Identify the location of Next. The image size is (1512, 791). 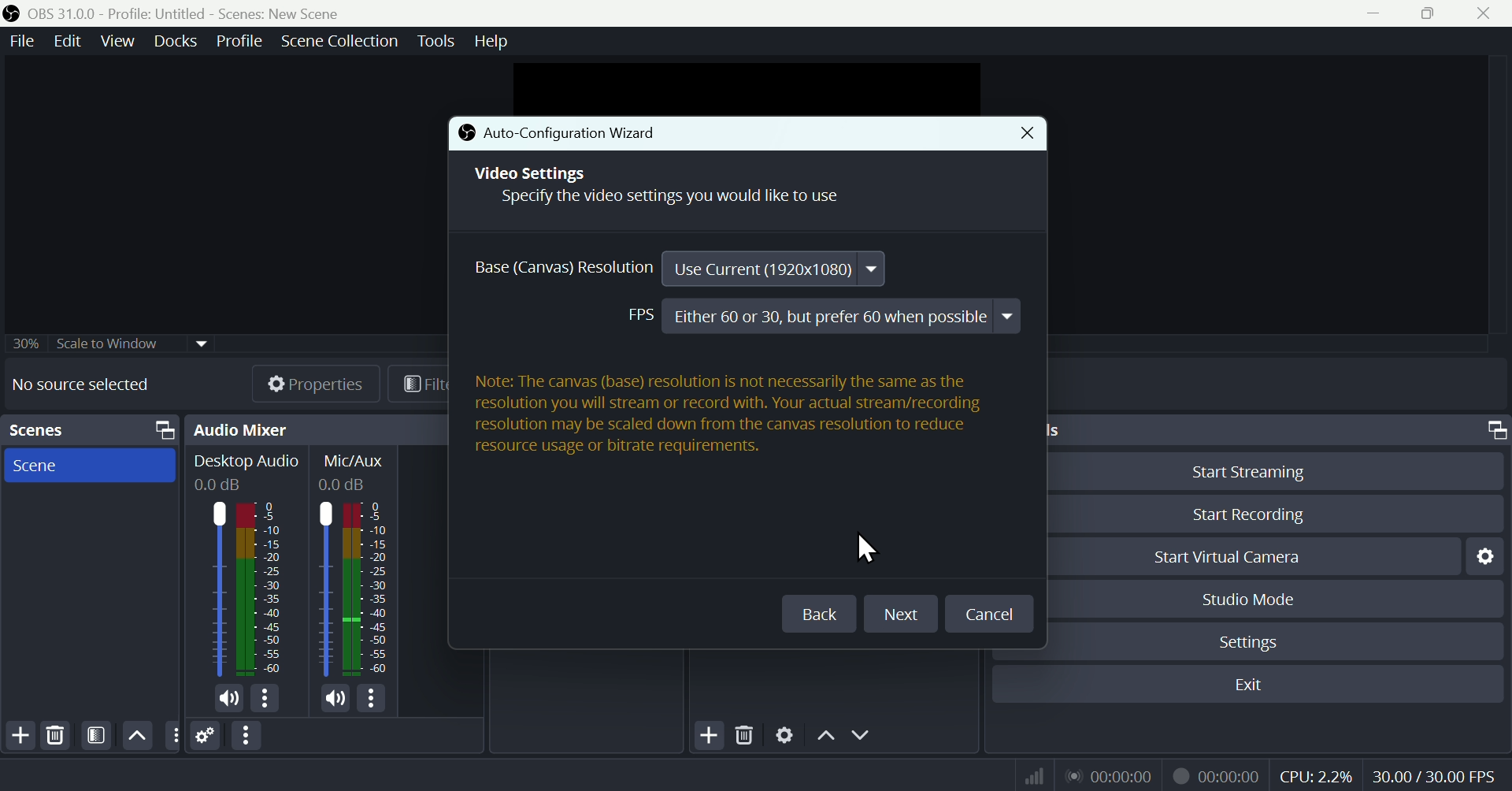
(906, 613).